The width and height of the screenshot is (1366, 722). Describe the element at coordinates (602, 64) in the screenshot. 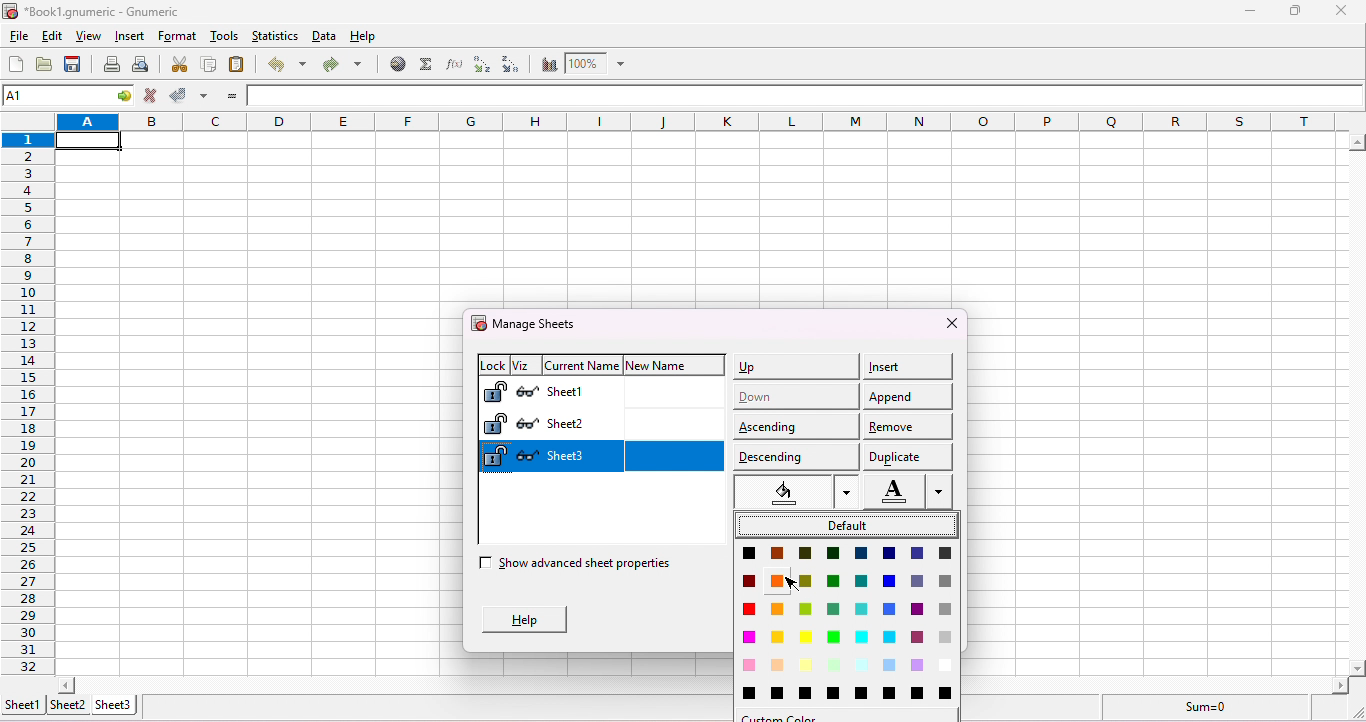

I see `zoom` at that location.